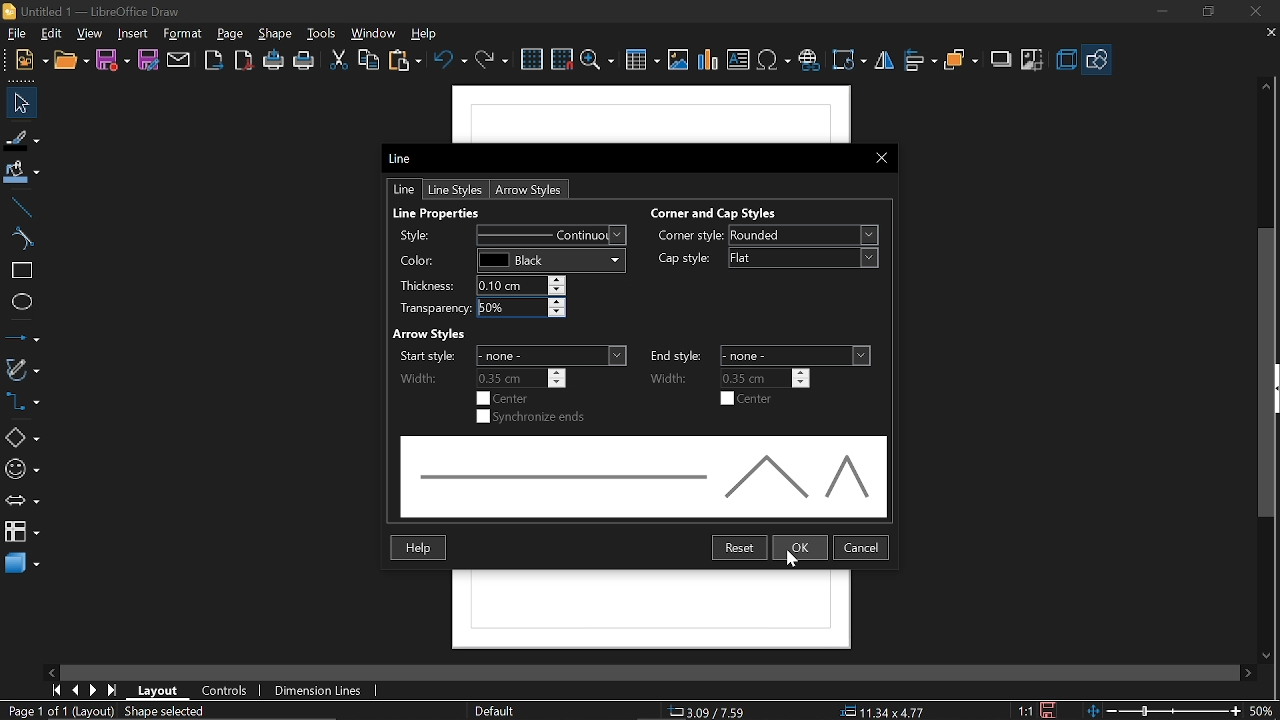 This screenshot has height=720, width=1280. I want to click on MOve up, so click(1267, 87).